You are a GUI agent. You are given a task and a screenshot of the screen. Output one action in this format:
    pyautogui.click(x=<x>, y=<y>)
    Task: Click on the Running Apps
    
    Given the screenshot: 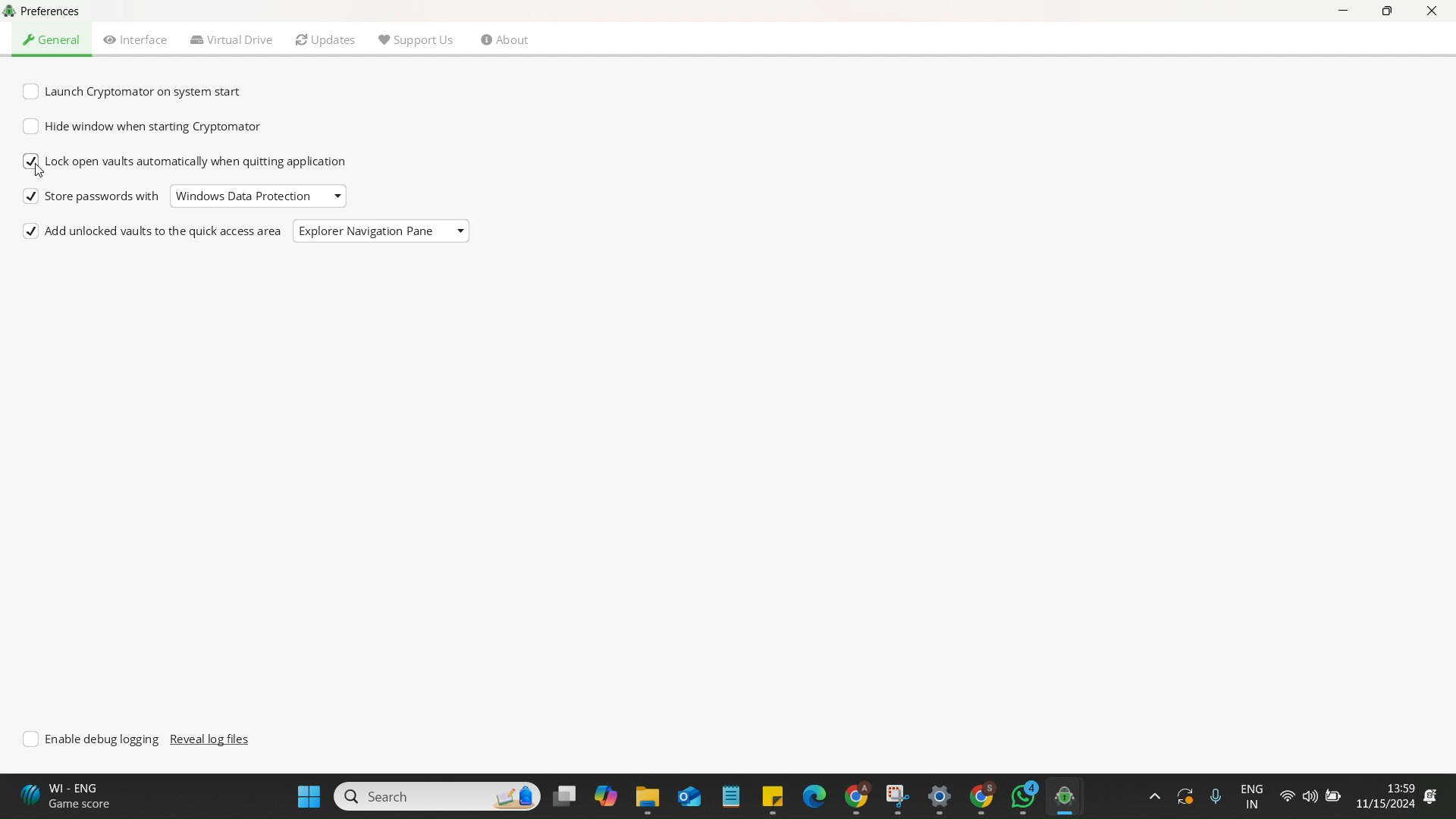 What is the action you would take?
    pyautogui.click(x=1153, y=796)
    